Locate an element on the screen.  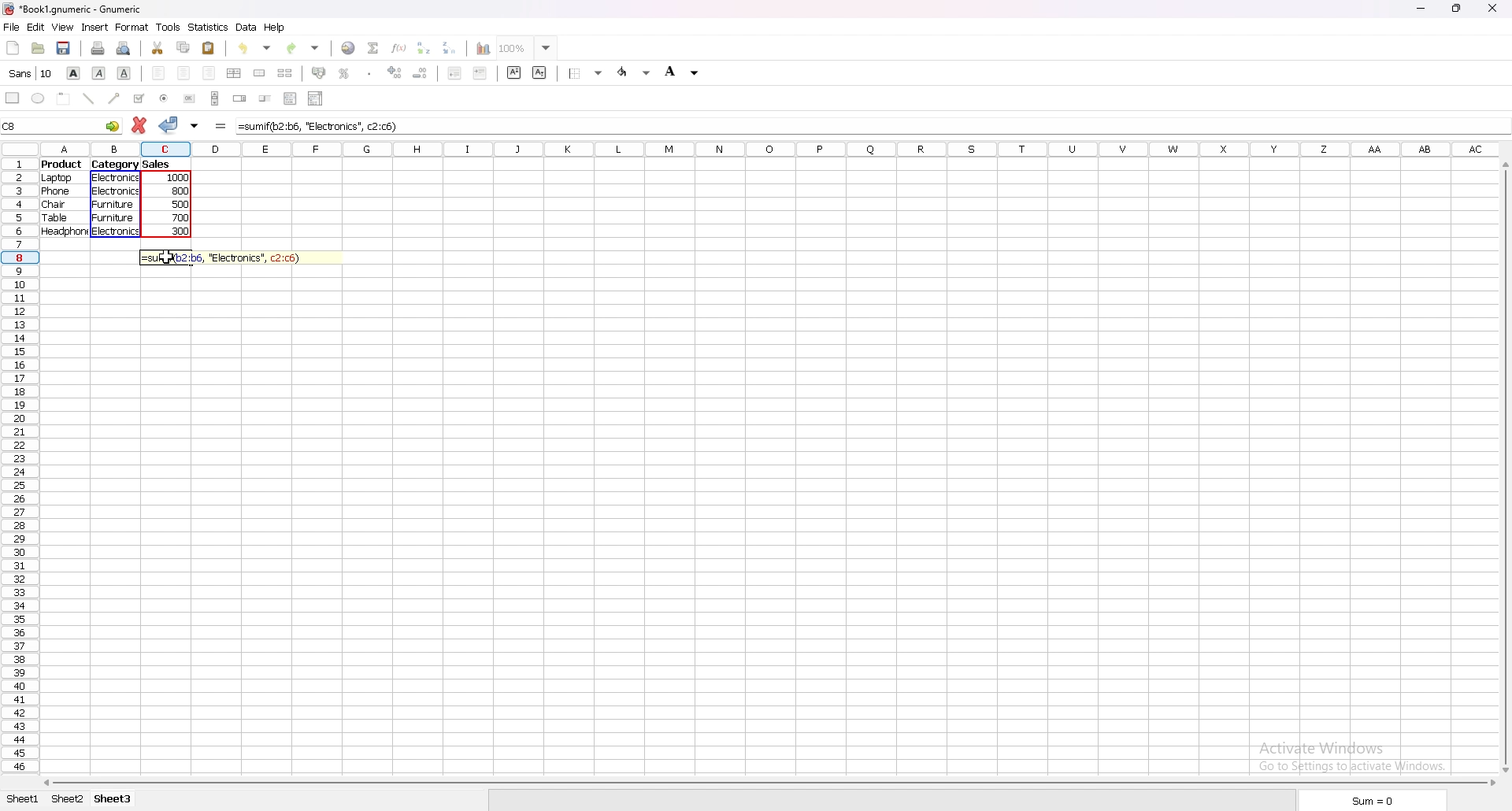
phone is located at coordinates (55, 191).